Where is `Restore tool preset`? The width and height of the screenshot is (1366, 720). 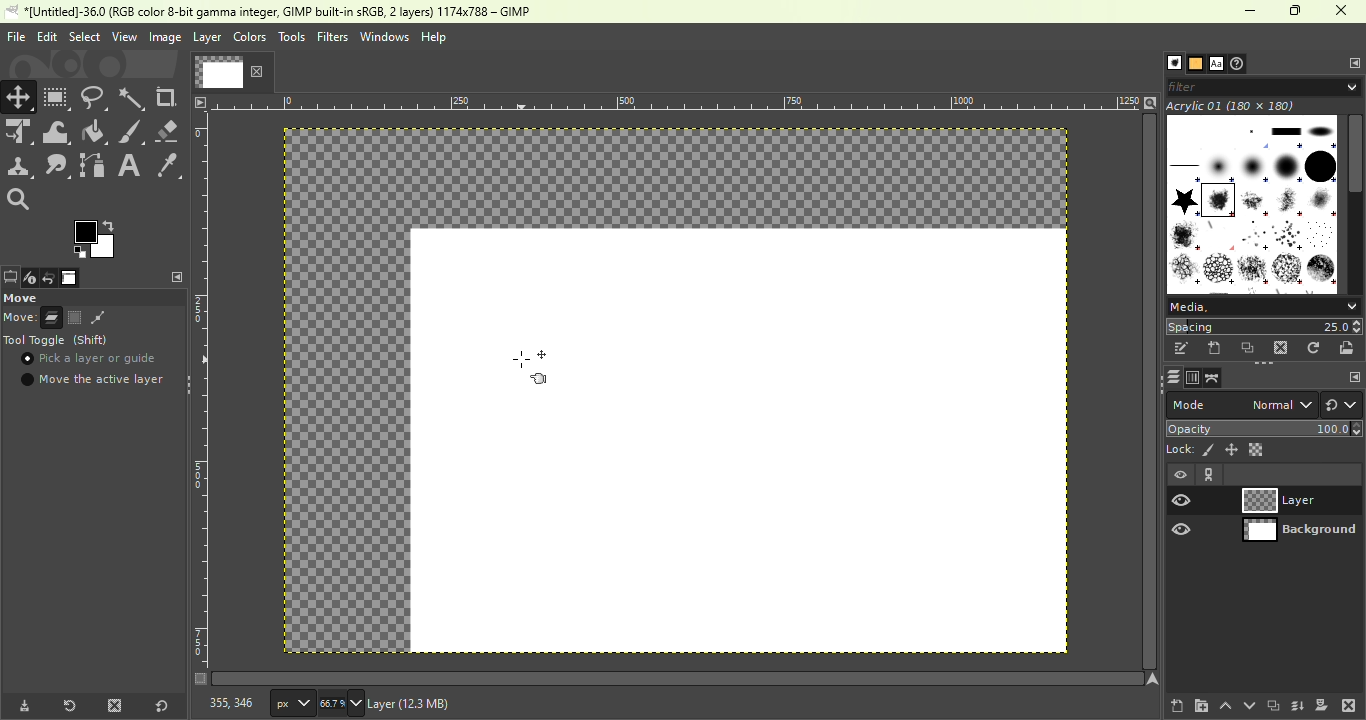 Restore tool preset is located at coordinates (67, 706).